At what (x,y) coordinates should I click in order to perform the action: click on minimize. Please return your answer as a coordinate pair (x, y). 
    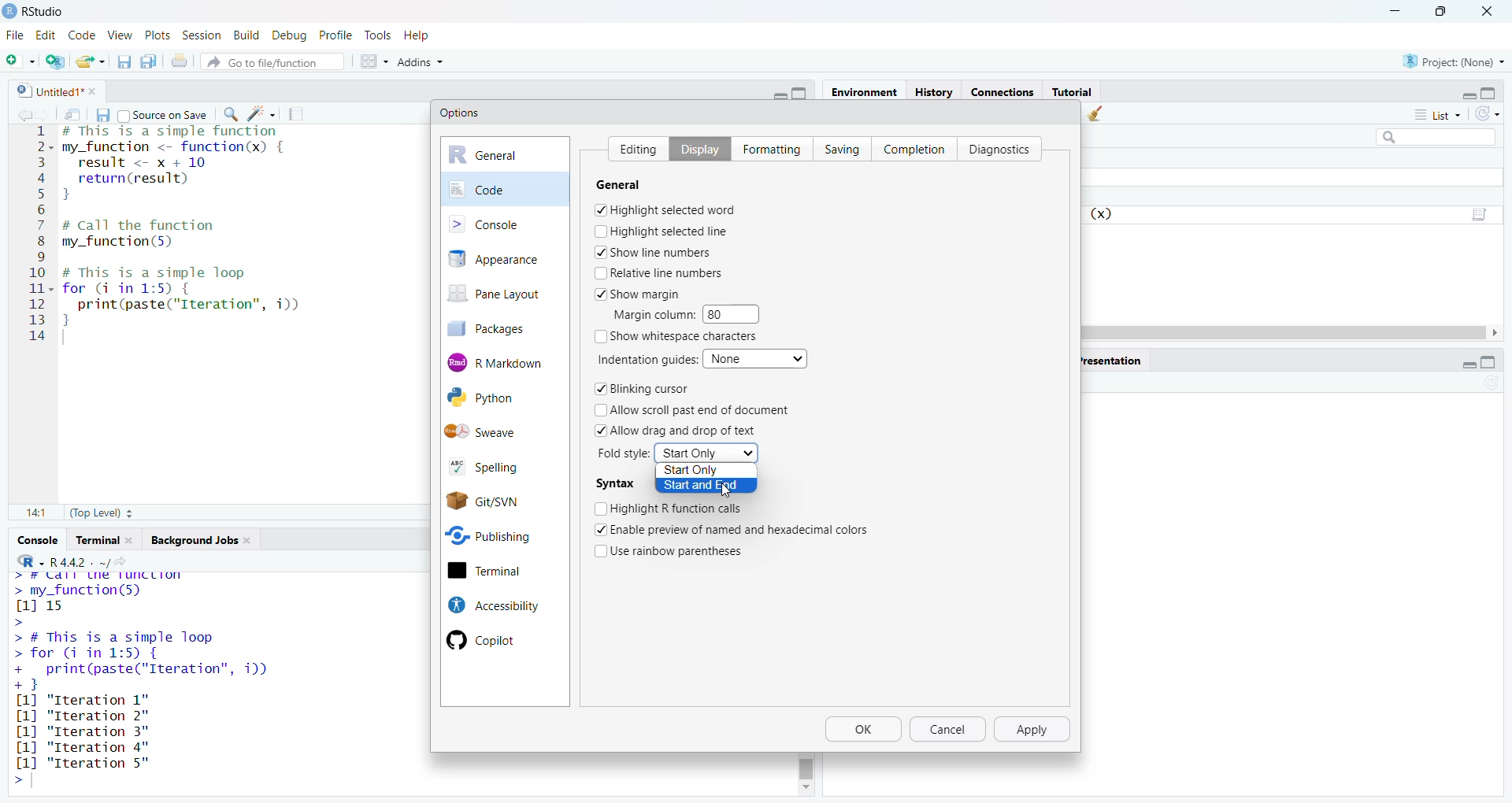
    Looking at the image, I should click on (1394, 9).